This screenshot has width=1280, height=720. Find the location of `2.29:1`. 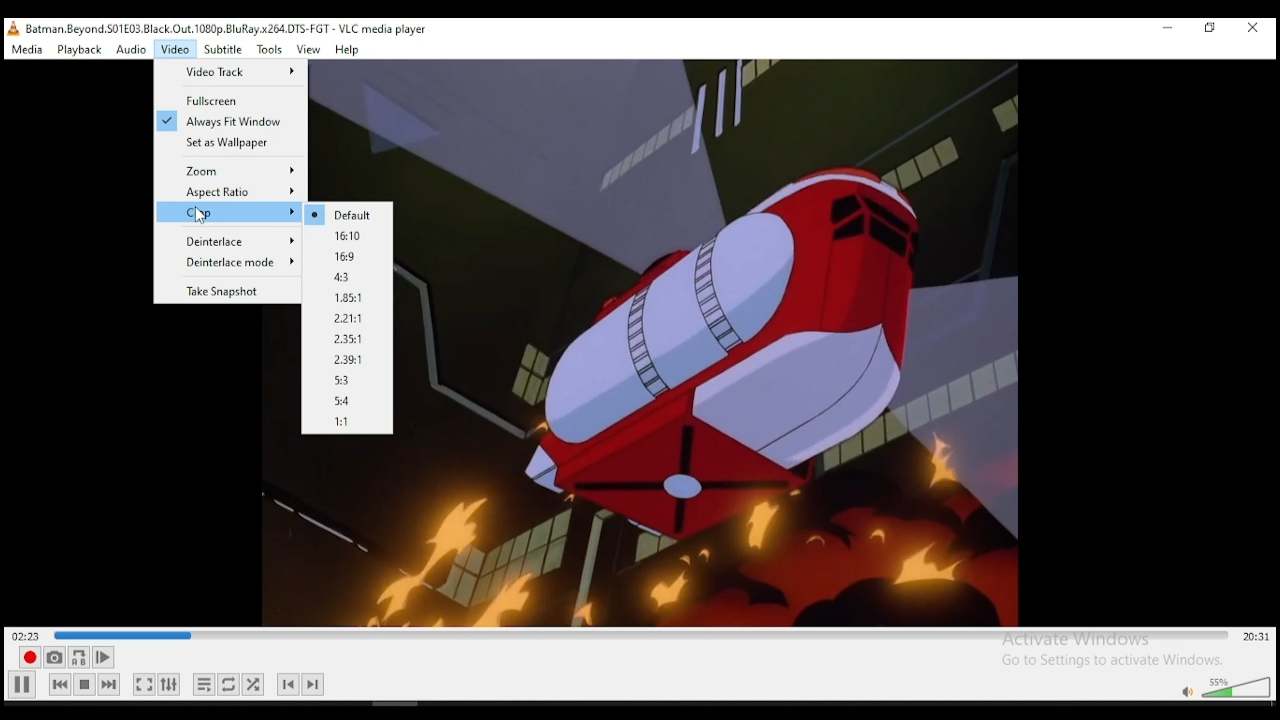

2.29:1 is located at coordinates (347, 359).